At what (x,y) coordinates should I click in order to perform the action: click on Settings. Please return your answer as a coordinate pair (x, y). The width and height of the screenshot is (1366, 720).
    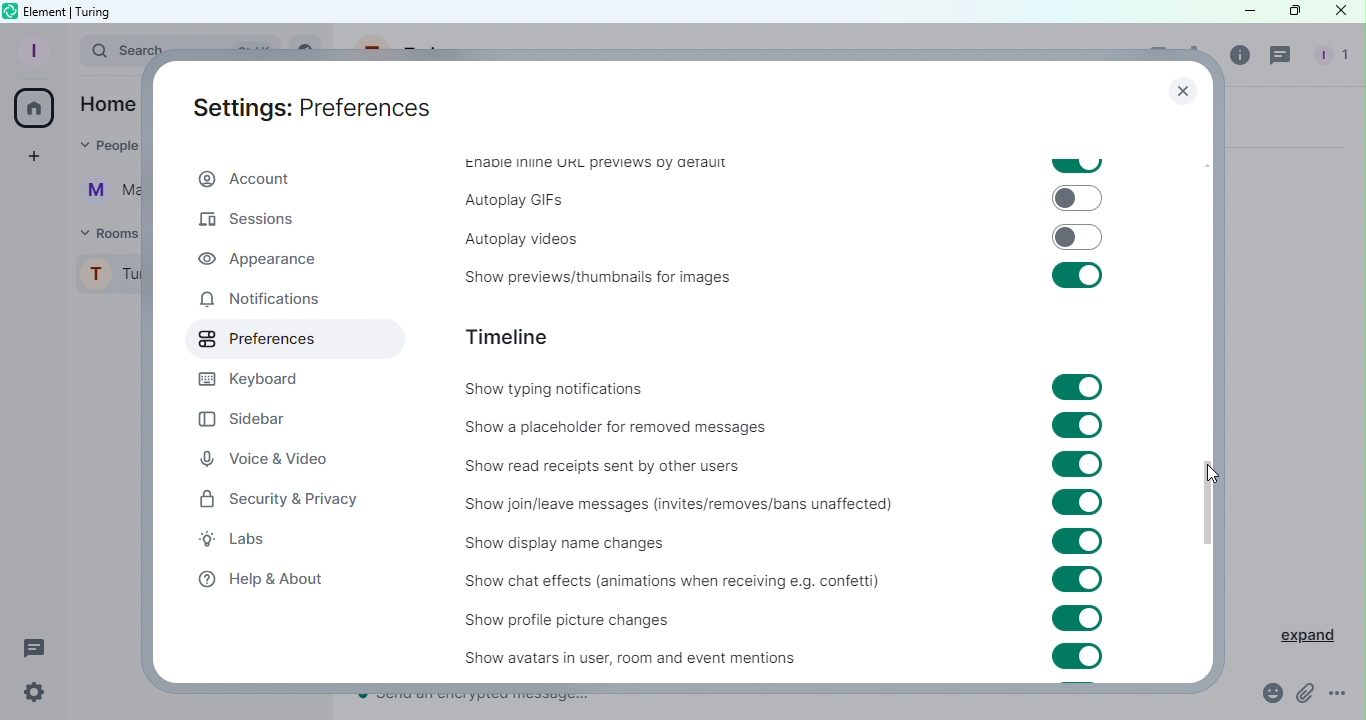
    Looking at the image, I should click on (39, 693).